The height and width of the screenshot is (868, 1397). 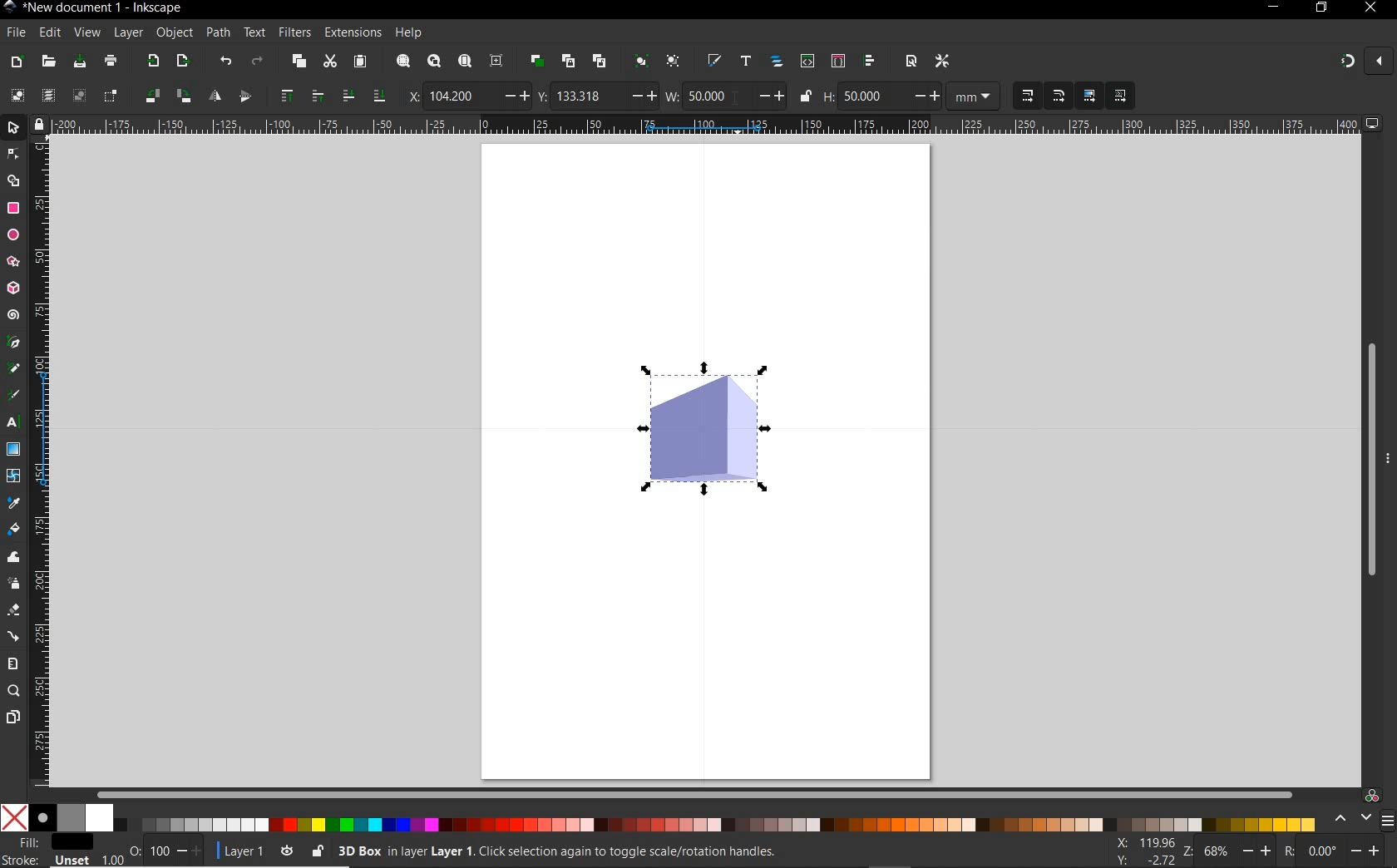 What do you see at coordinates (1352, 819) in the screenshot?
I see `scroll color options` at bounding box center [1352, 819].